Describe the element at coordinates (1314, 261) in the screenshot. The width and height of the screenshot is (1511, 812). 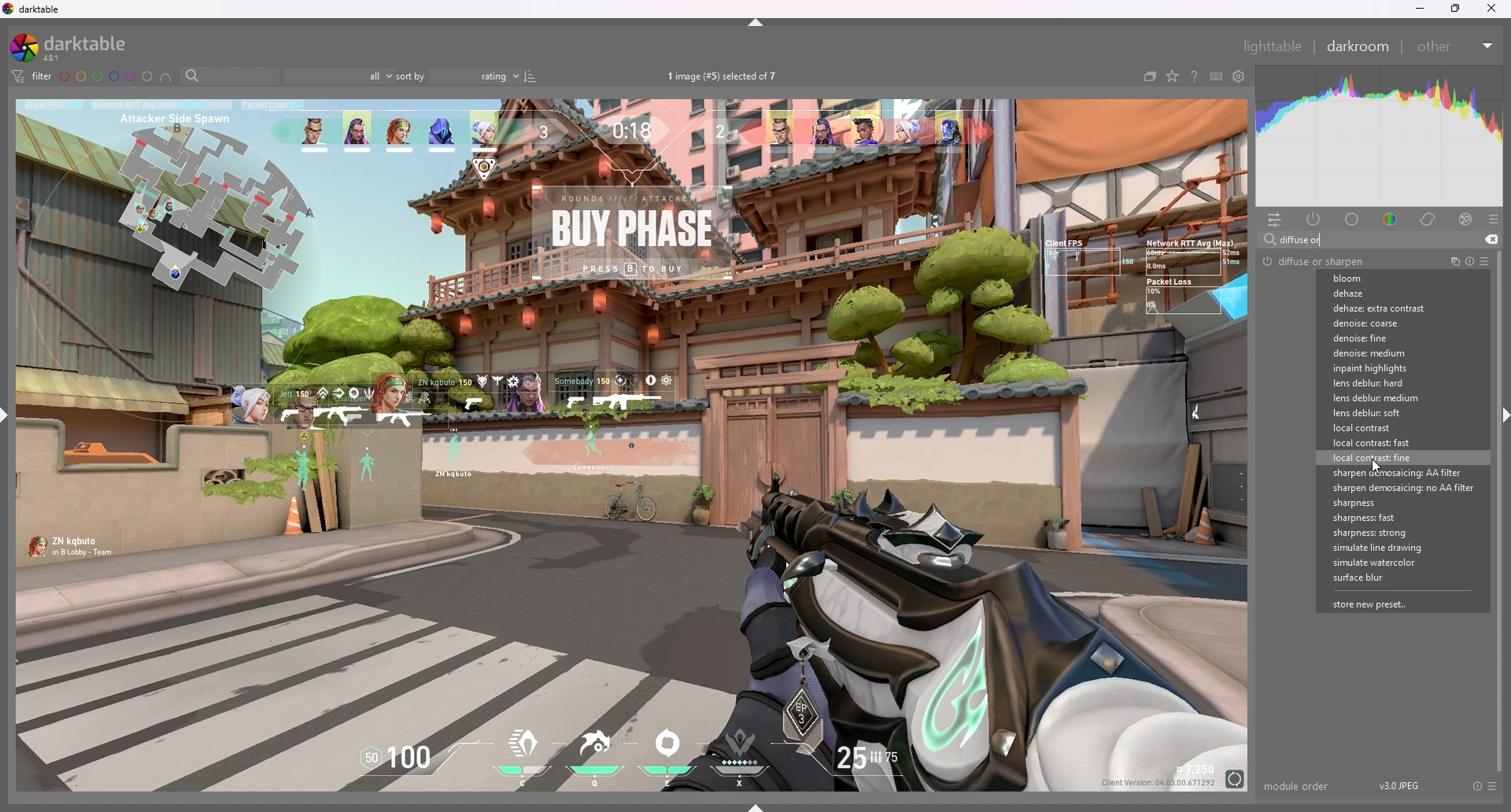
I see `diffuse or sharpen` at that location.